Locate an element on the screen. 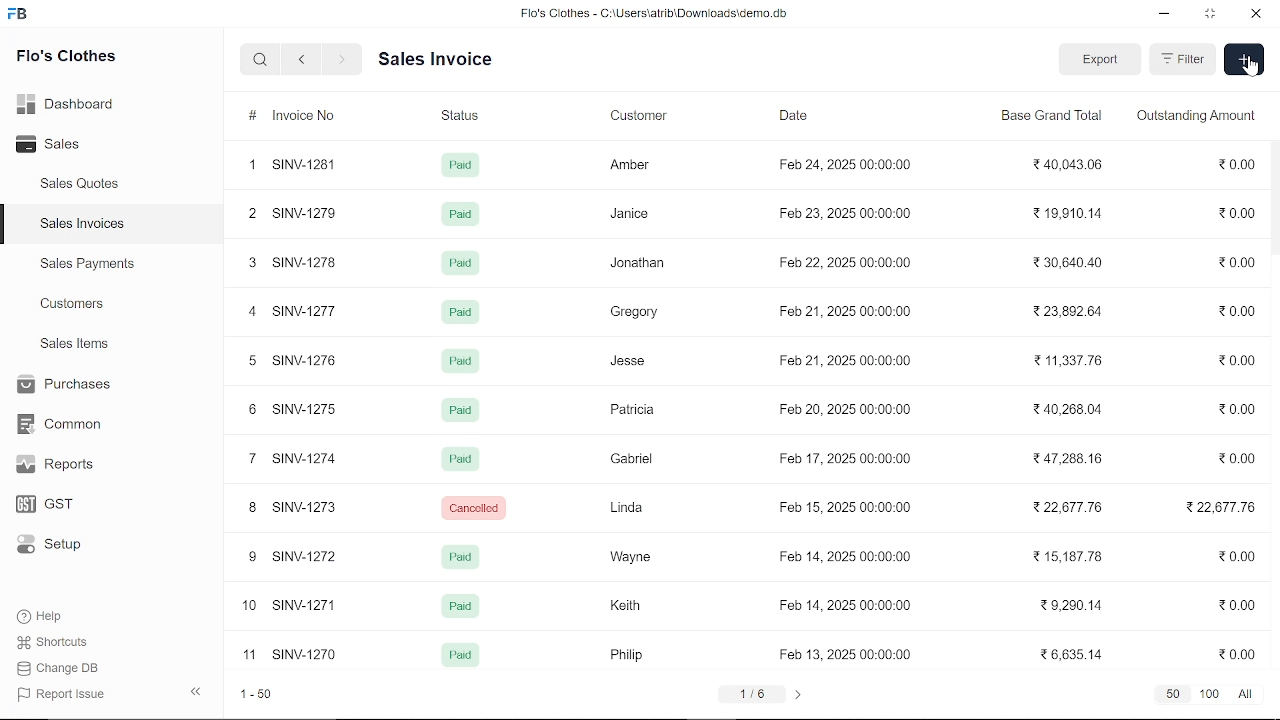  Dashboard is located at coordinates (67, 107).